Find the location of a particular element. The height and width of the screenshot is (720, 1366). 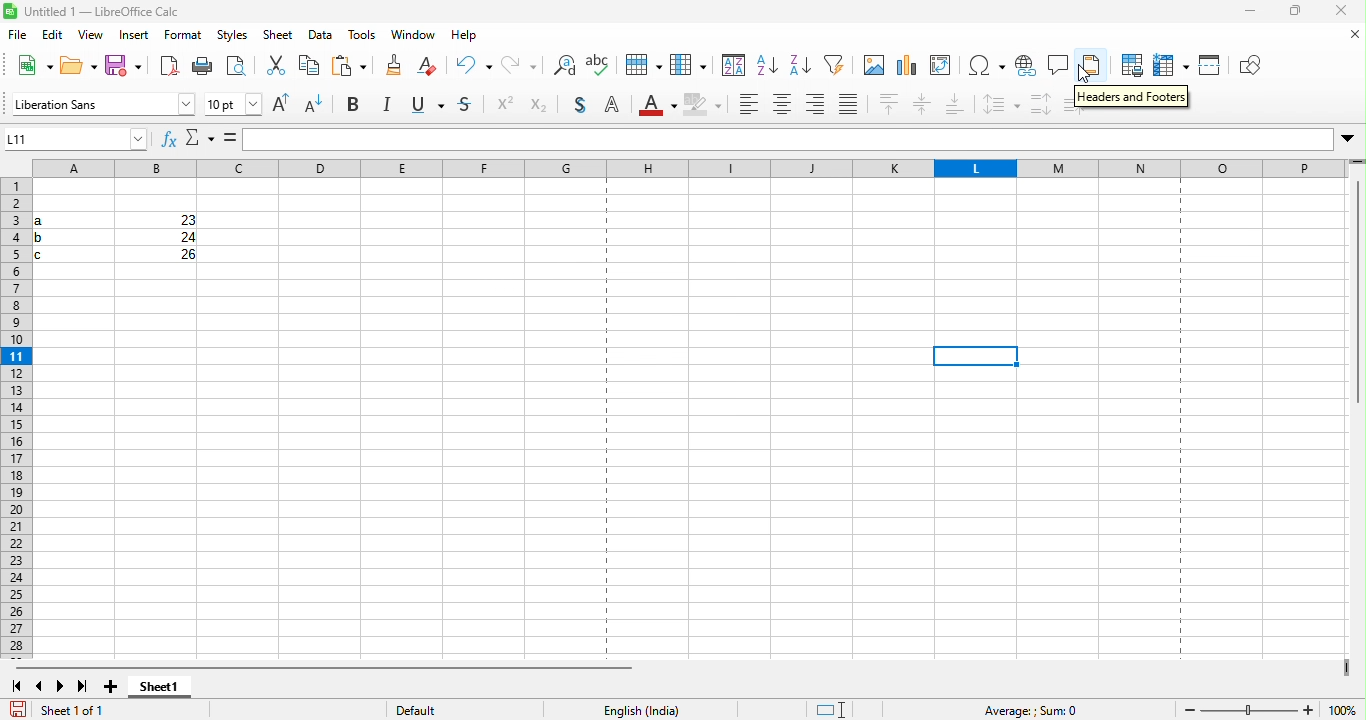

font name is located at coordinates (102, 104).